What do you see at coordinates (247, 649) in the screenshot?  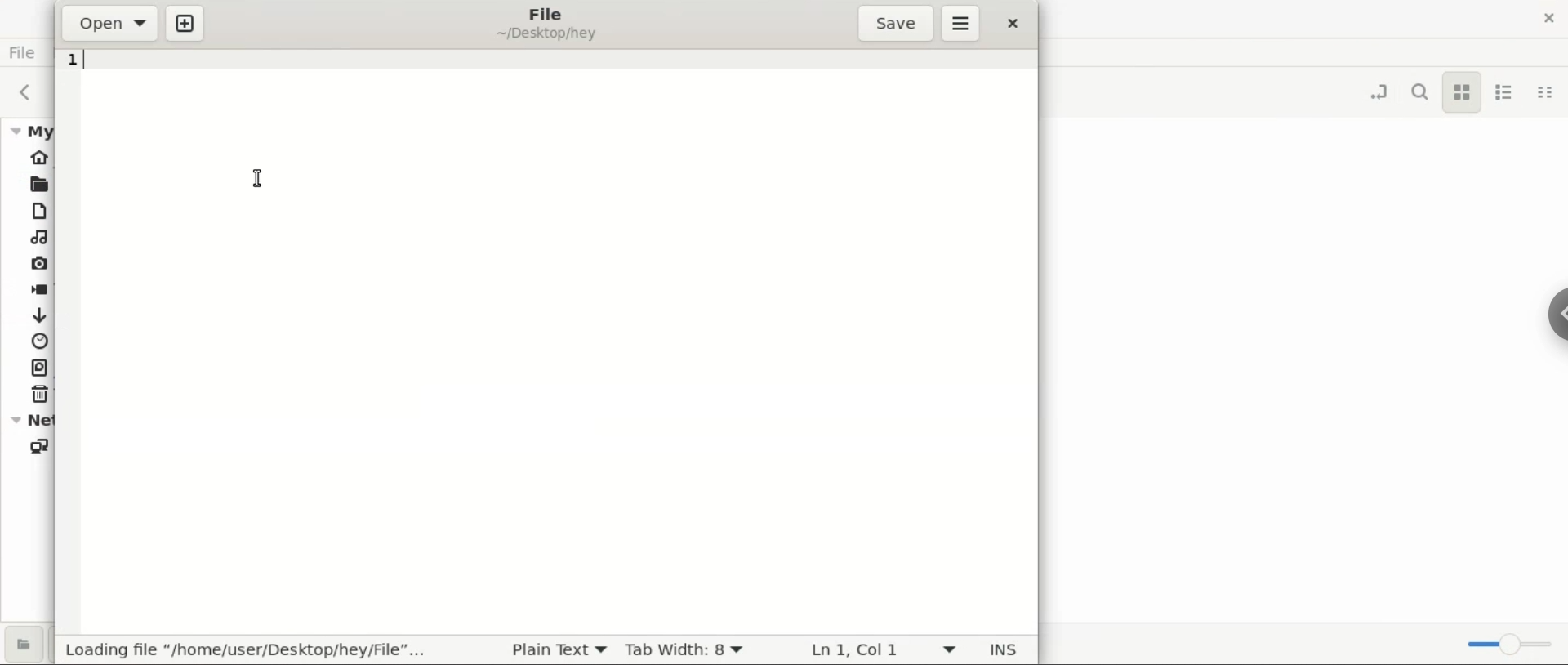 I see `loding file` at bounding box center [247, 649].